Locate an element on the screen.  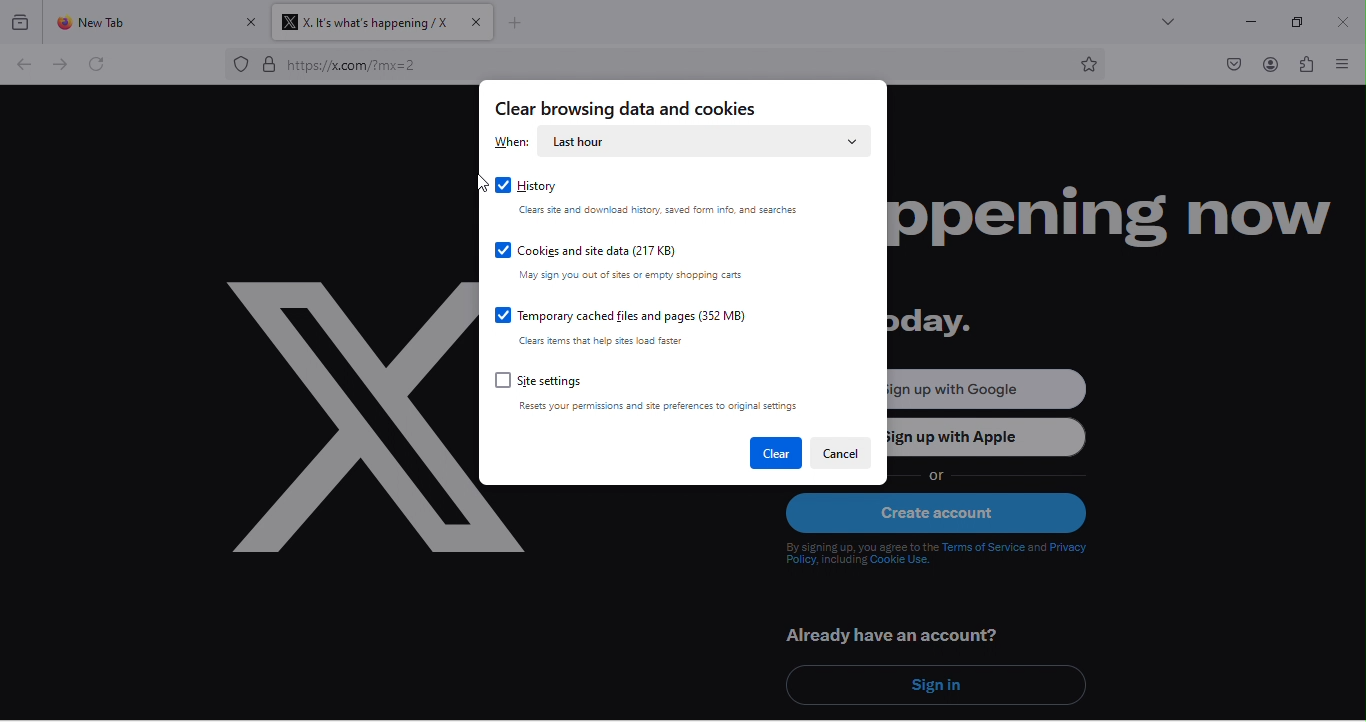
create account is located at coordinates (946, 513).